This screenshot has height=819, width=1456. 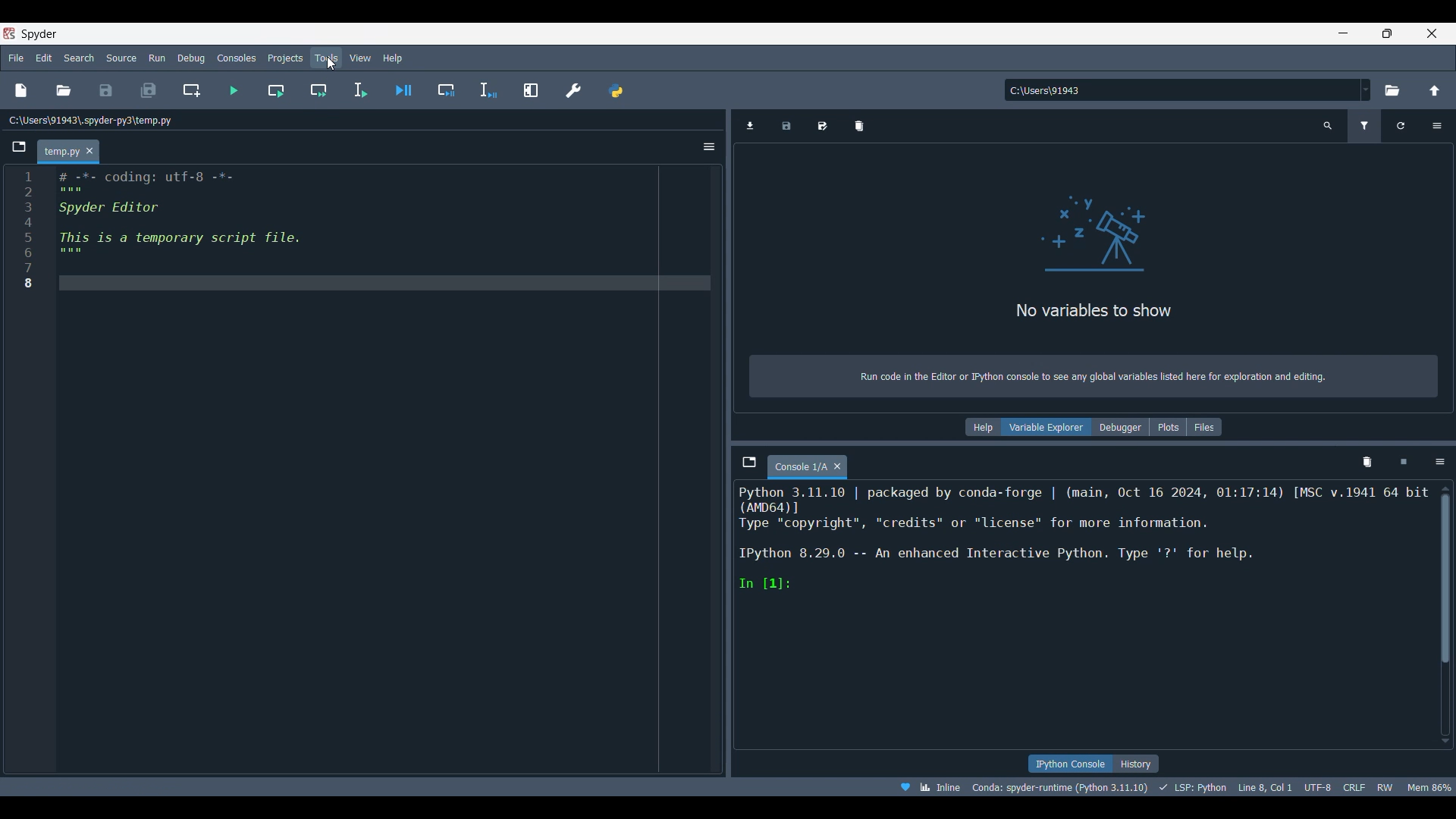 What do you see at coordinates (1084, 538) in the screenshot?
I see `ipython console pane` at bounding box center [1084, 538].